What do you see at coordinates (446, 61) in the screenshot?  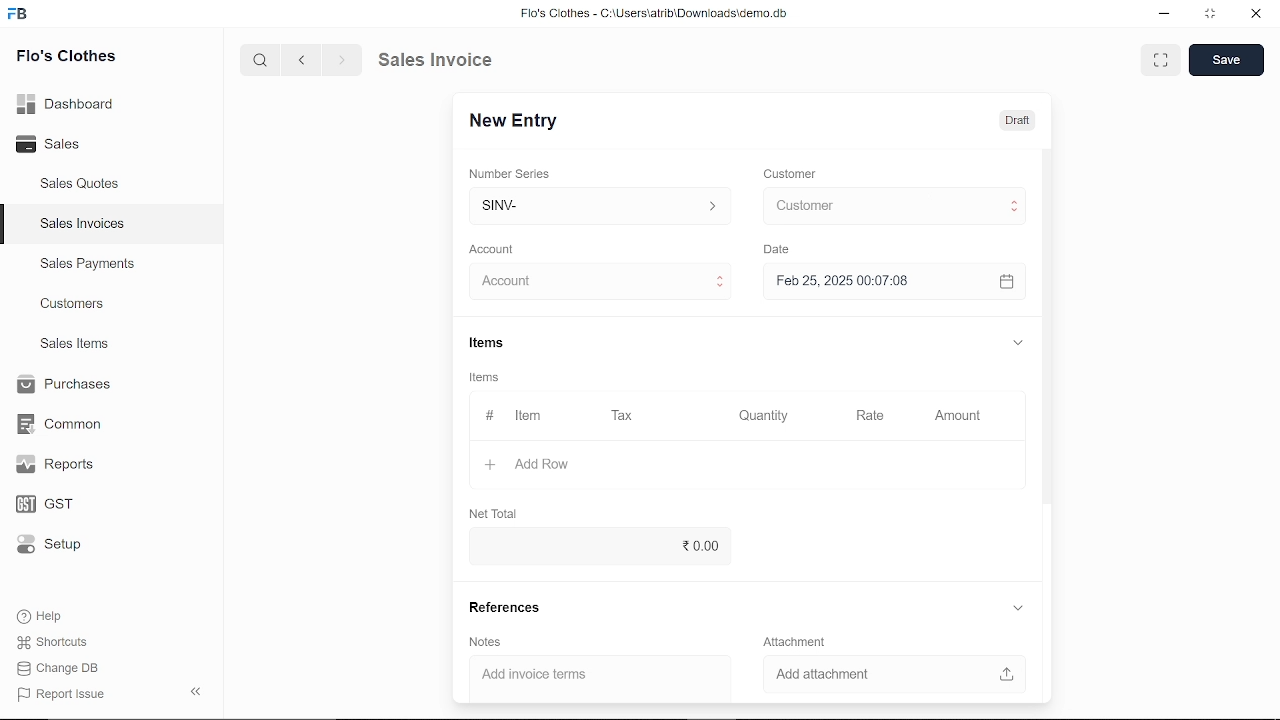 I see ` Sales Invoice` at bounding box center [446, 61].